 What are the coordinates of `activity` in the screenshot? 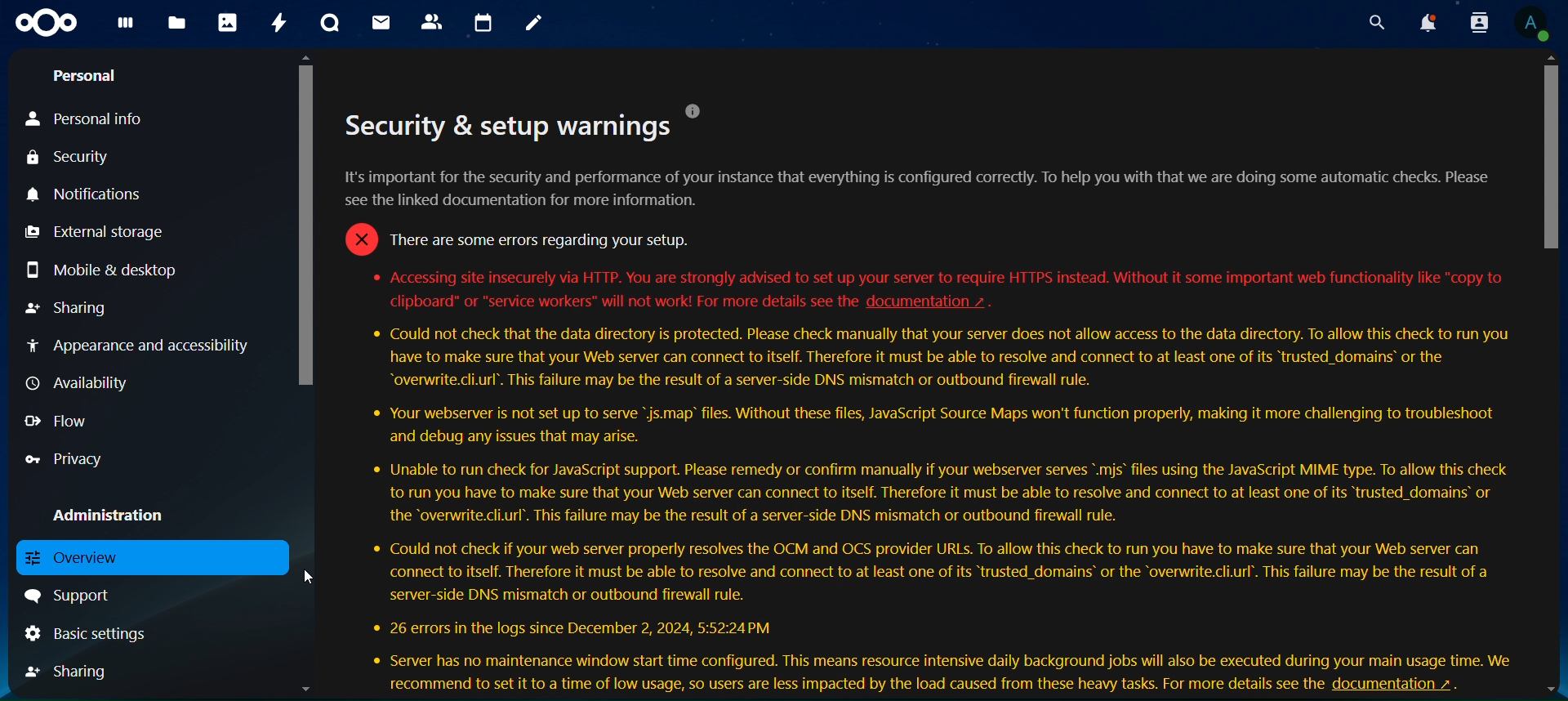 It's located at (275, 24).